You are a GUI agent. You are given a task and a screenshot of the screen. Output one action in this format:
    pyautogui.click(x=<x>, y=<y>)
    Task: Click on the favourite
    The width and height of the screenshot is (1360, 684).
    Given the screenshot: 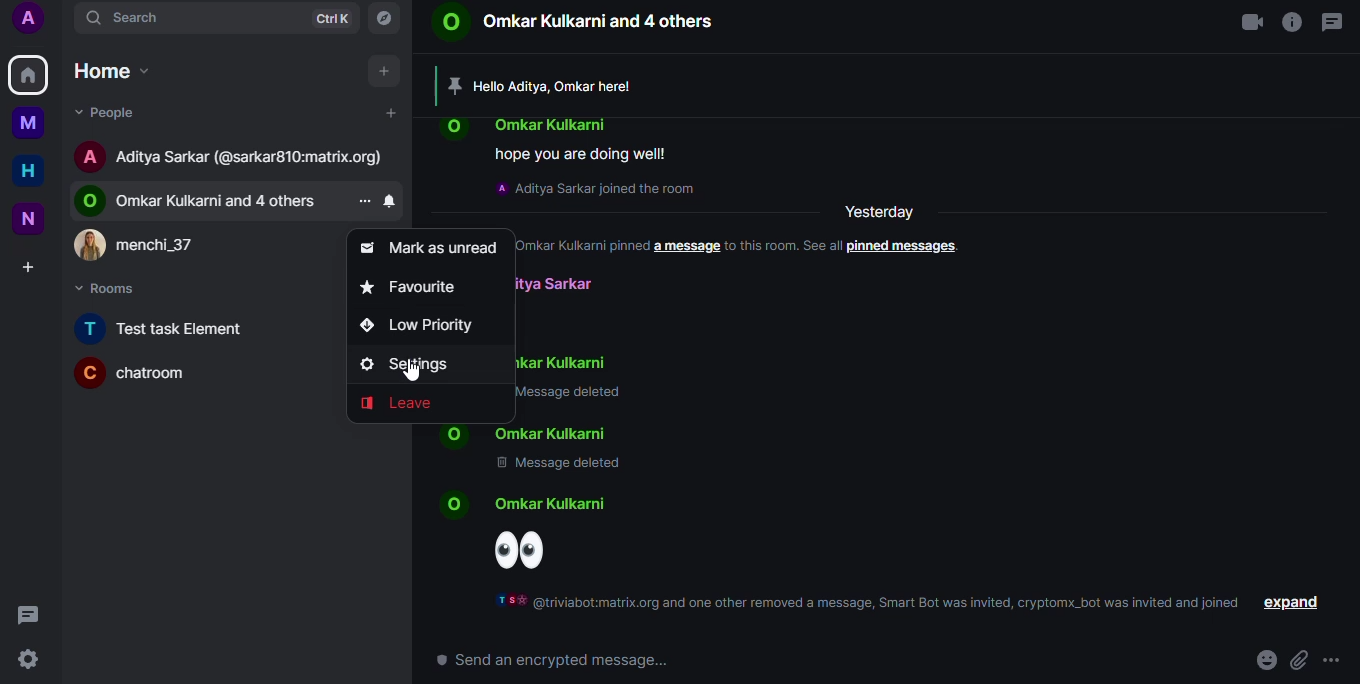 What is the action you would take?
    pyautogui.click(x=415, y=287)
    